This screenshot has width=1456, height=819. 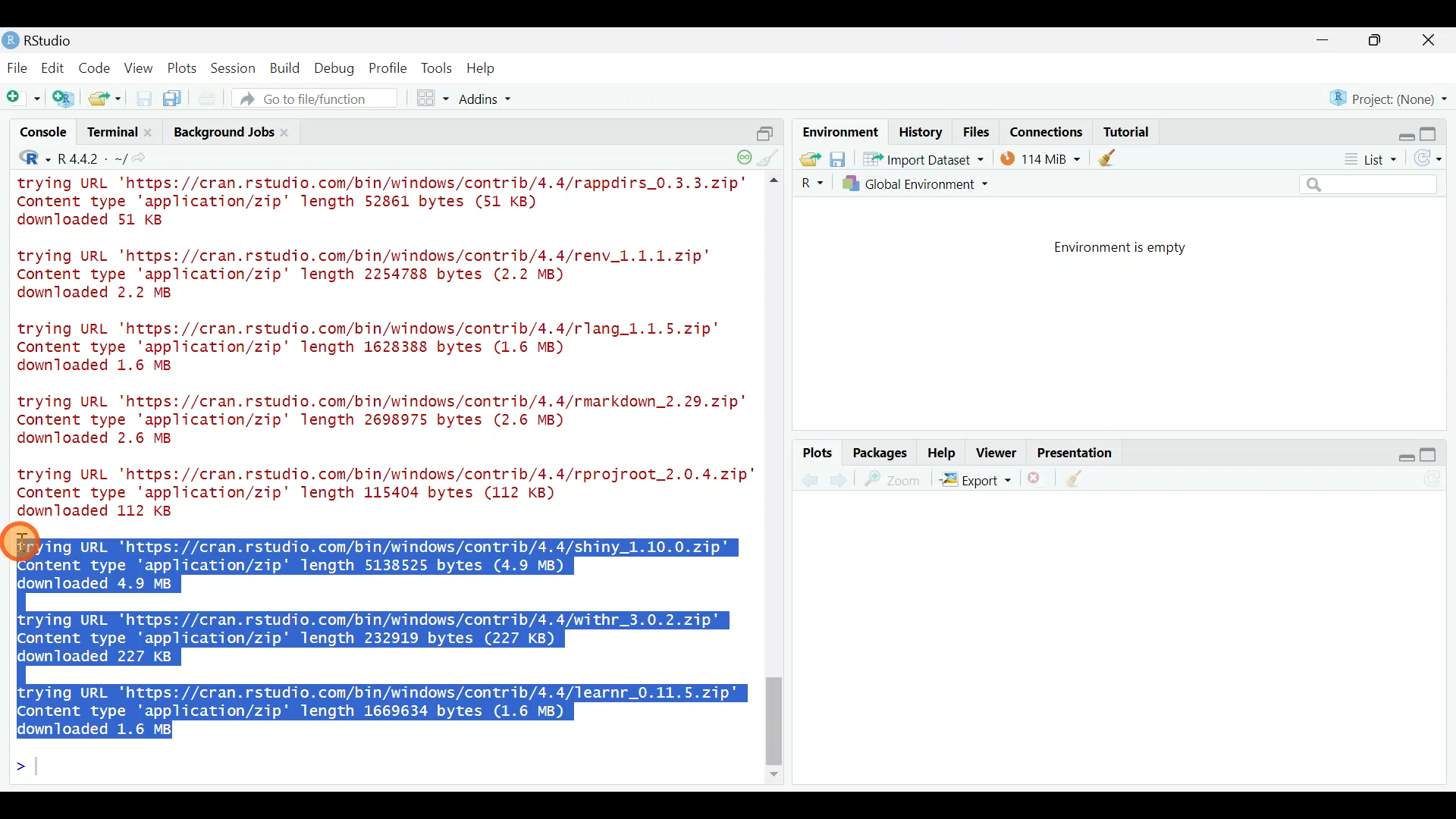 I want to click on Cursor, so click(x=26, y=541).